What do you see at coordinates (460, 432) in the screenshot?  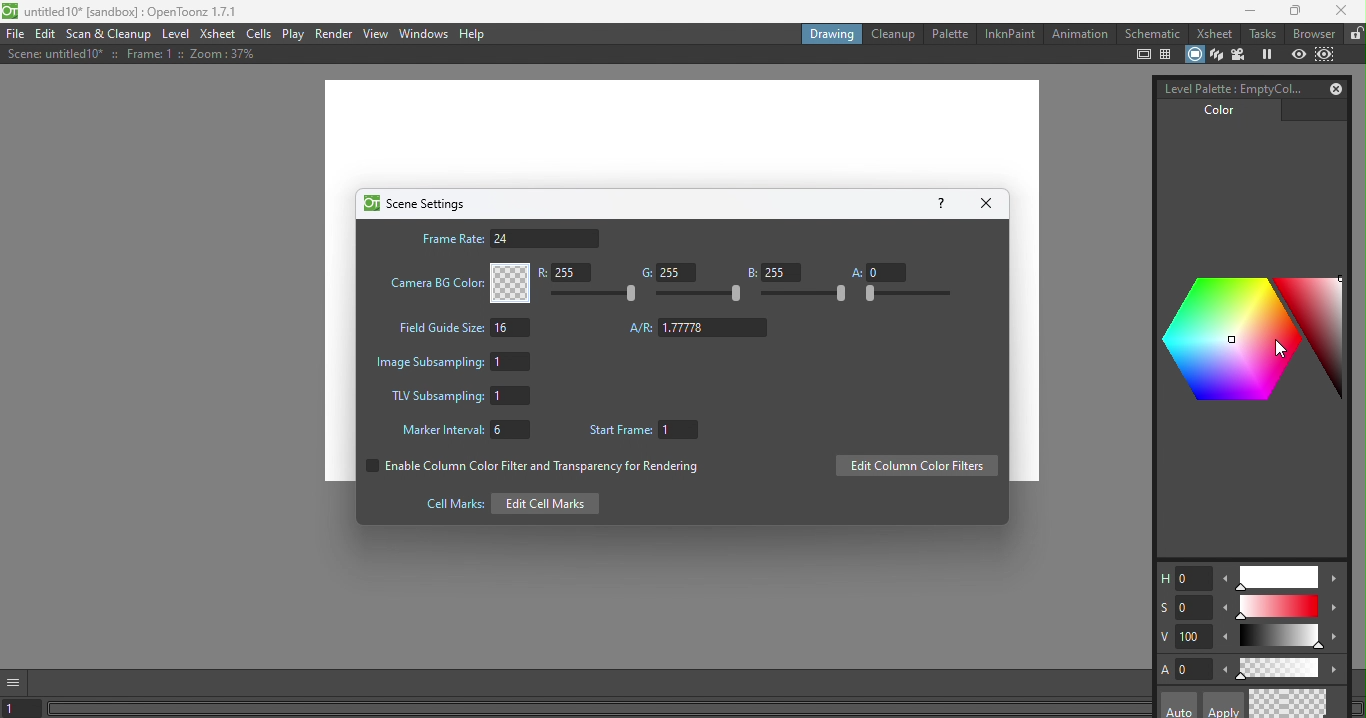 I see `Marker Interval` at bounding box center [460, 432].